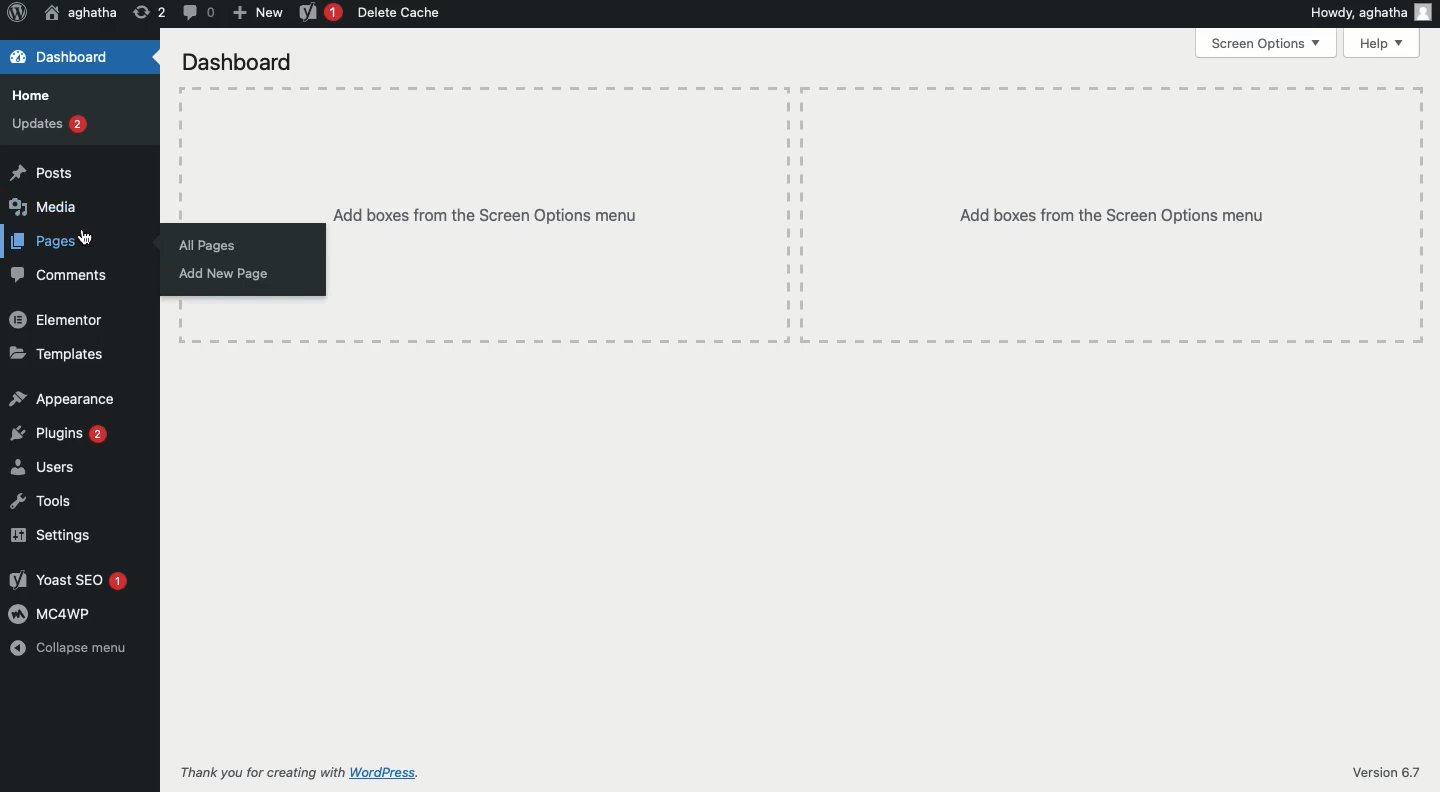 Image resolution: width=1440 pixels, height=792 pixels. What do you see at coordinates (1369, 12) in the screenshot?
I see `Howdy user` at bounding box center [1369, 12].